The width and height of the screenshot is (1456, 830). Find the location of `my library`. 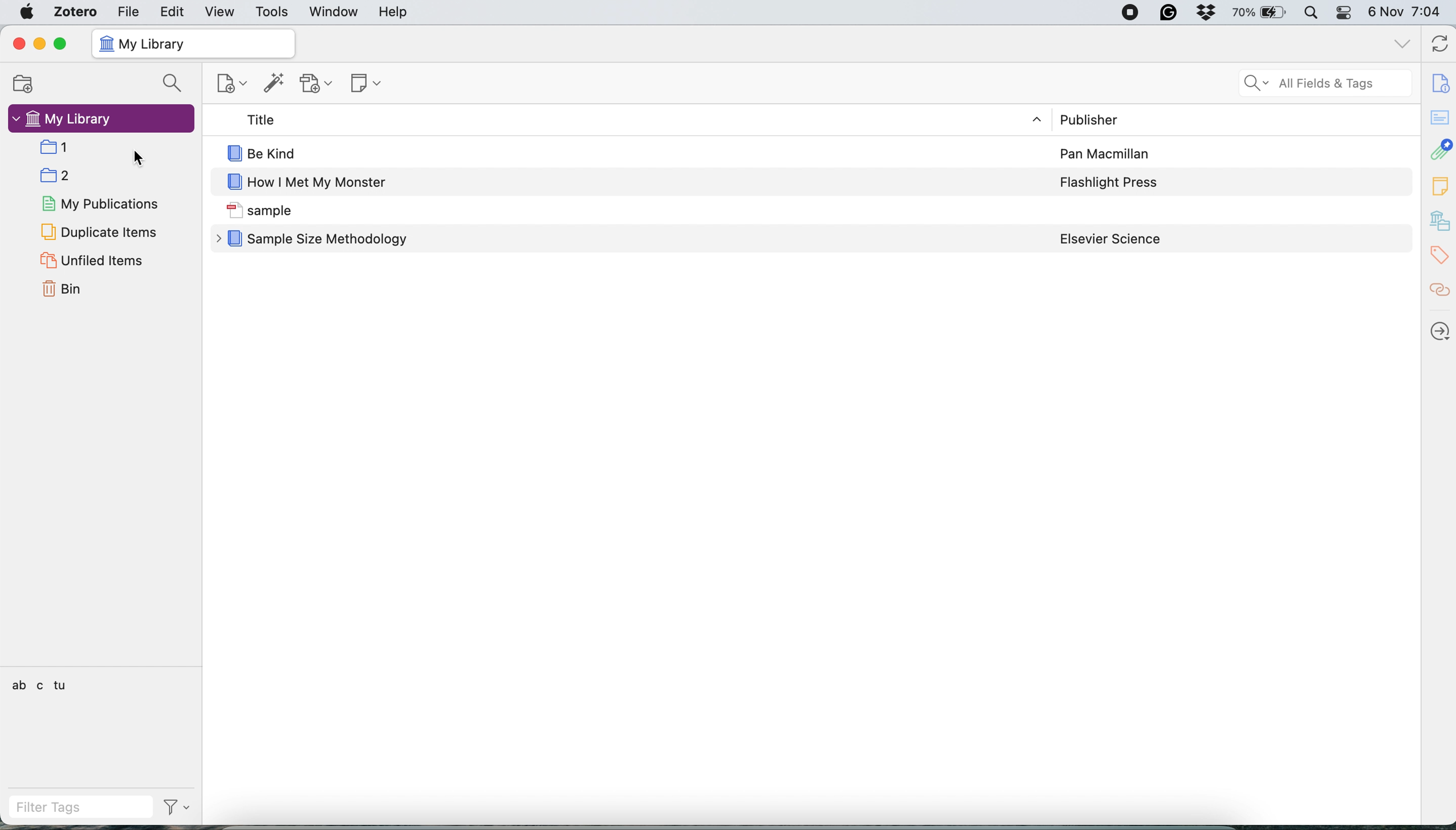

my library is located at coordinates (160, 44).